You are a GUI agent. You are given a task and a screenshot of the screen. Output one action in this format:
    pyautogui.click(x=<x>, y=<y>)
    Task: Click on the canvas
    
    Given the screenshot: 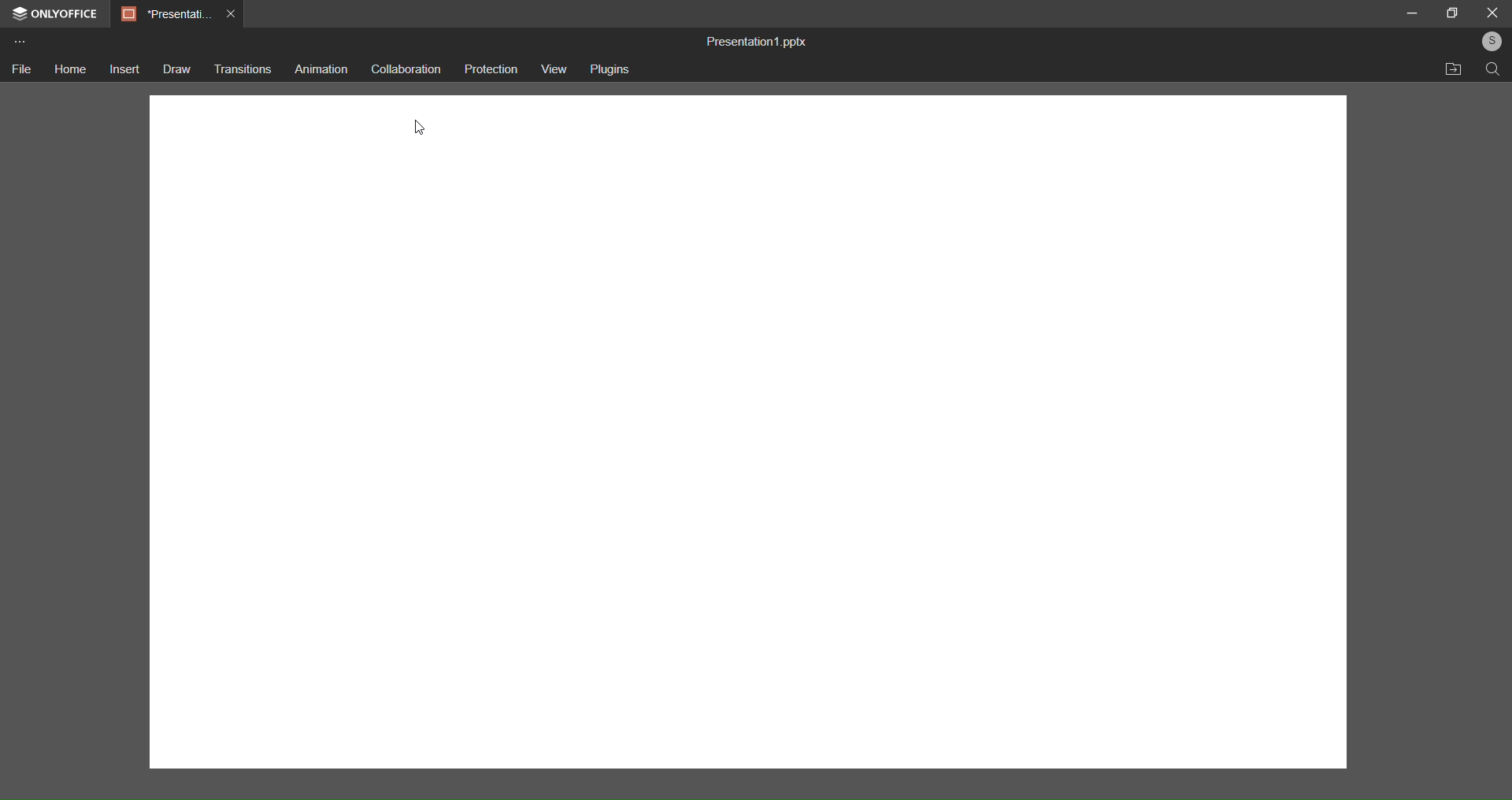 What is the action you would take?
    pyautogui.click(x=745, y=483)
    